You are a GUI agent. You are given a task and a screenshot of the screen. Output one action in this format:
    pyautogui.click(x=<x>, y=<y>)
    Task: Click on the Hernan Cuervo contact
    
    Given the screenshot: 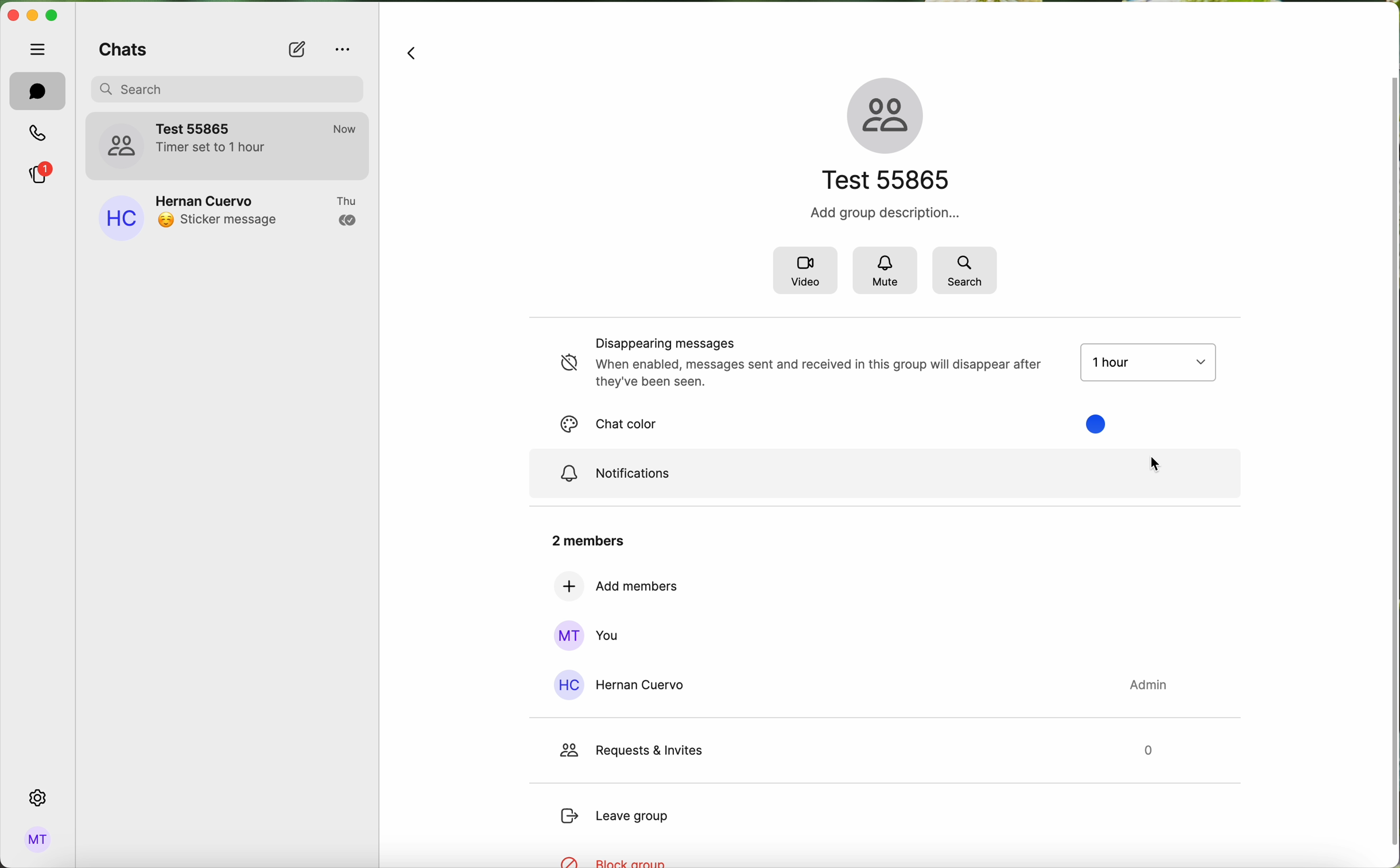 What is the action you would take?
    pyautogui.click(x=227, y=215)
    